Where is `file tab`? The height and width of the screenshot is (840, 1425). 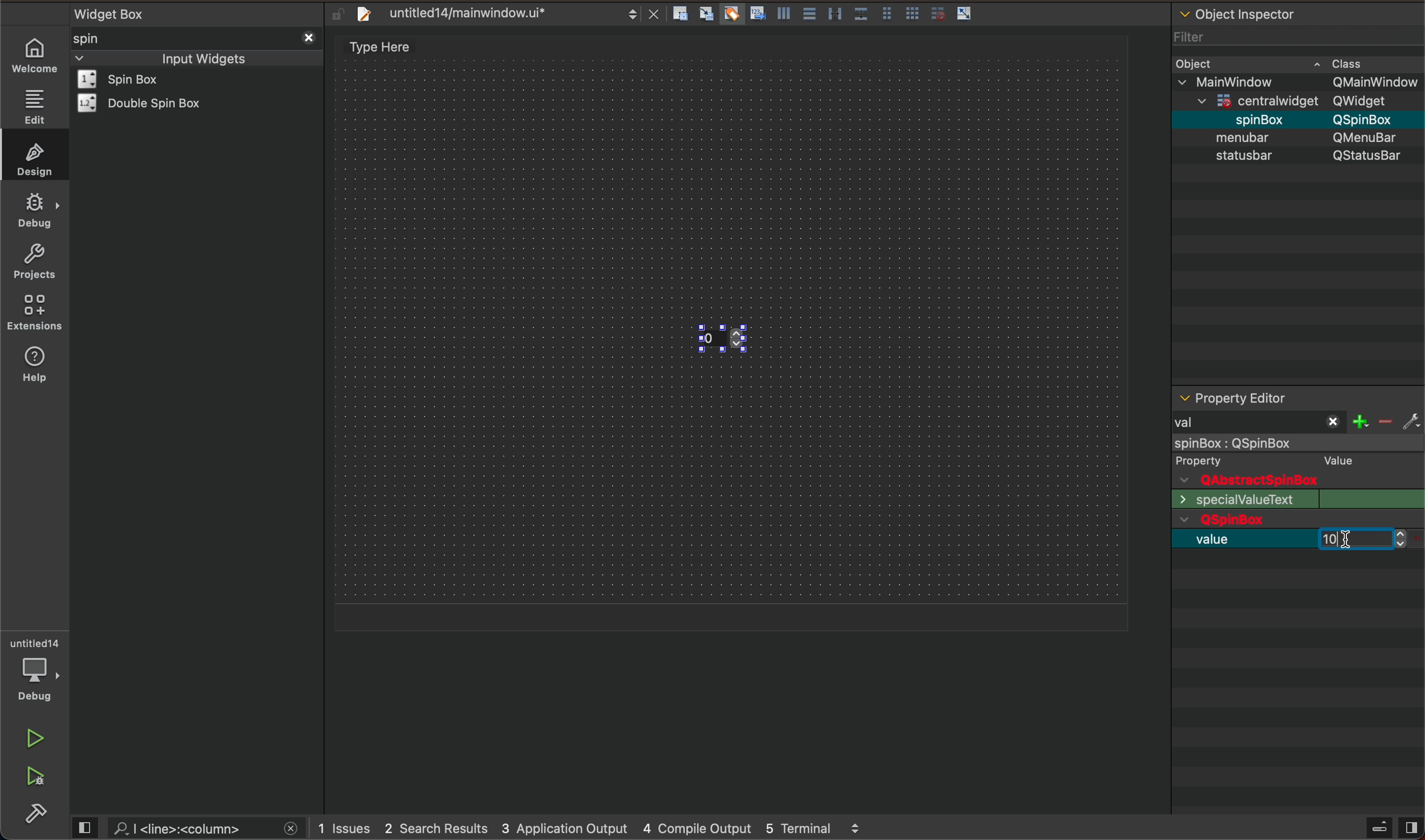
file tab is located at coordinates (495, 13).